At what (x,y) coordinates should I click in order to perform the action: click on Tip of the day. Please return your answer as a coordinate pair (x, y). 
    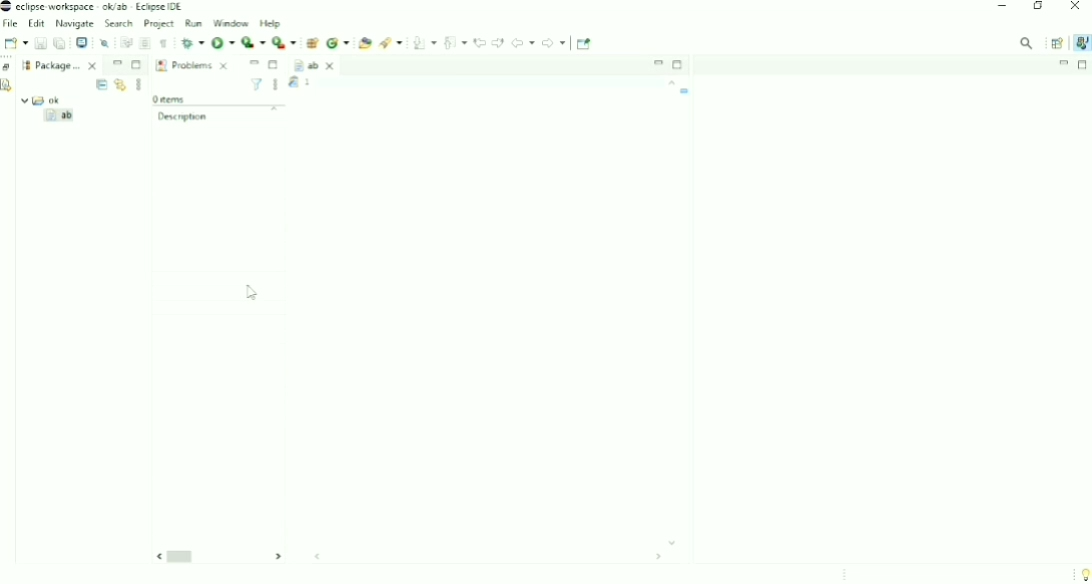
    Looking at the image, I should click on (1080, 572).